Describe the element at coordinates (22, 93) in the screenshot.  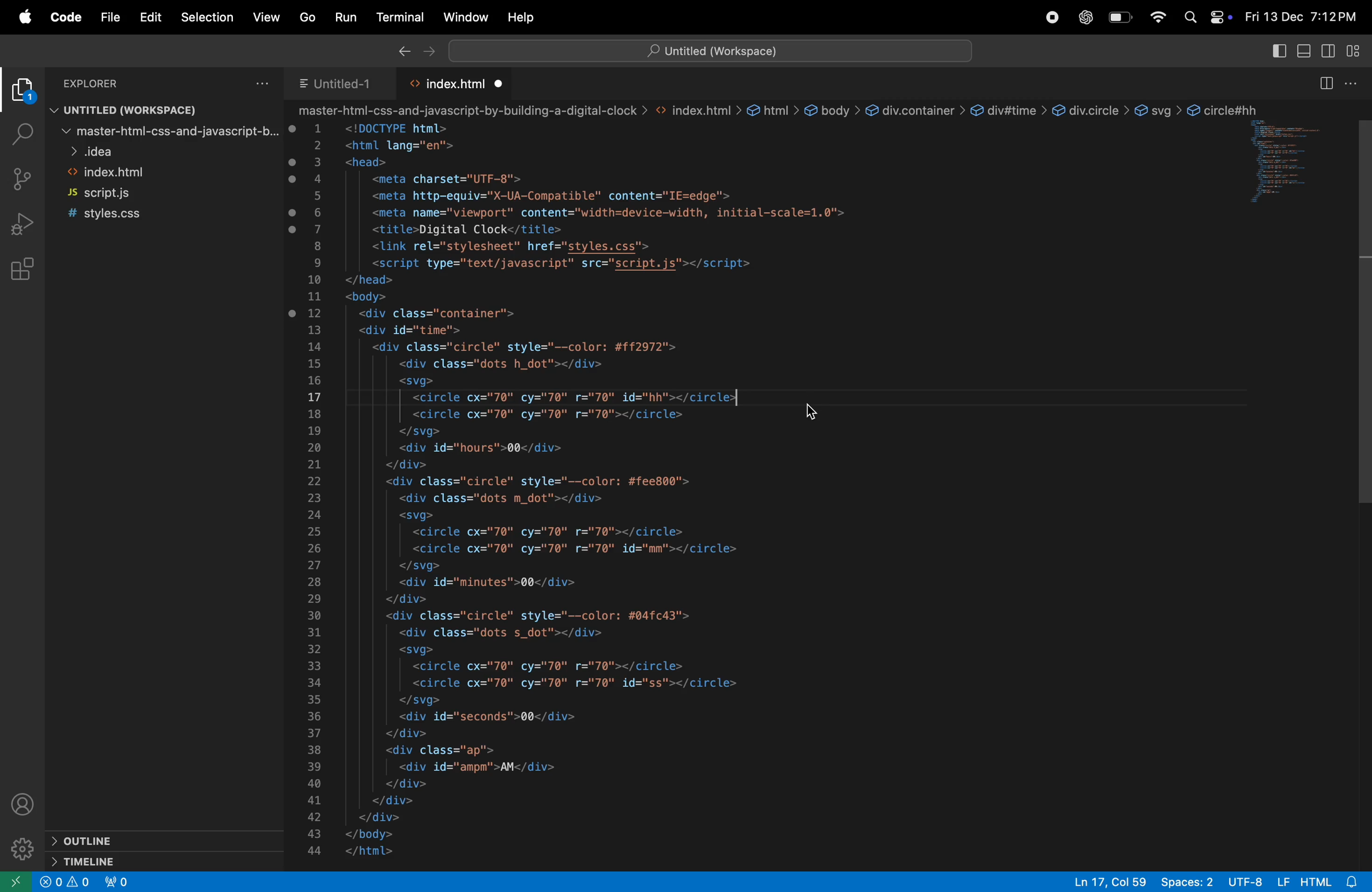
I see `extension` at that location.